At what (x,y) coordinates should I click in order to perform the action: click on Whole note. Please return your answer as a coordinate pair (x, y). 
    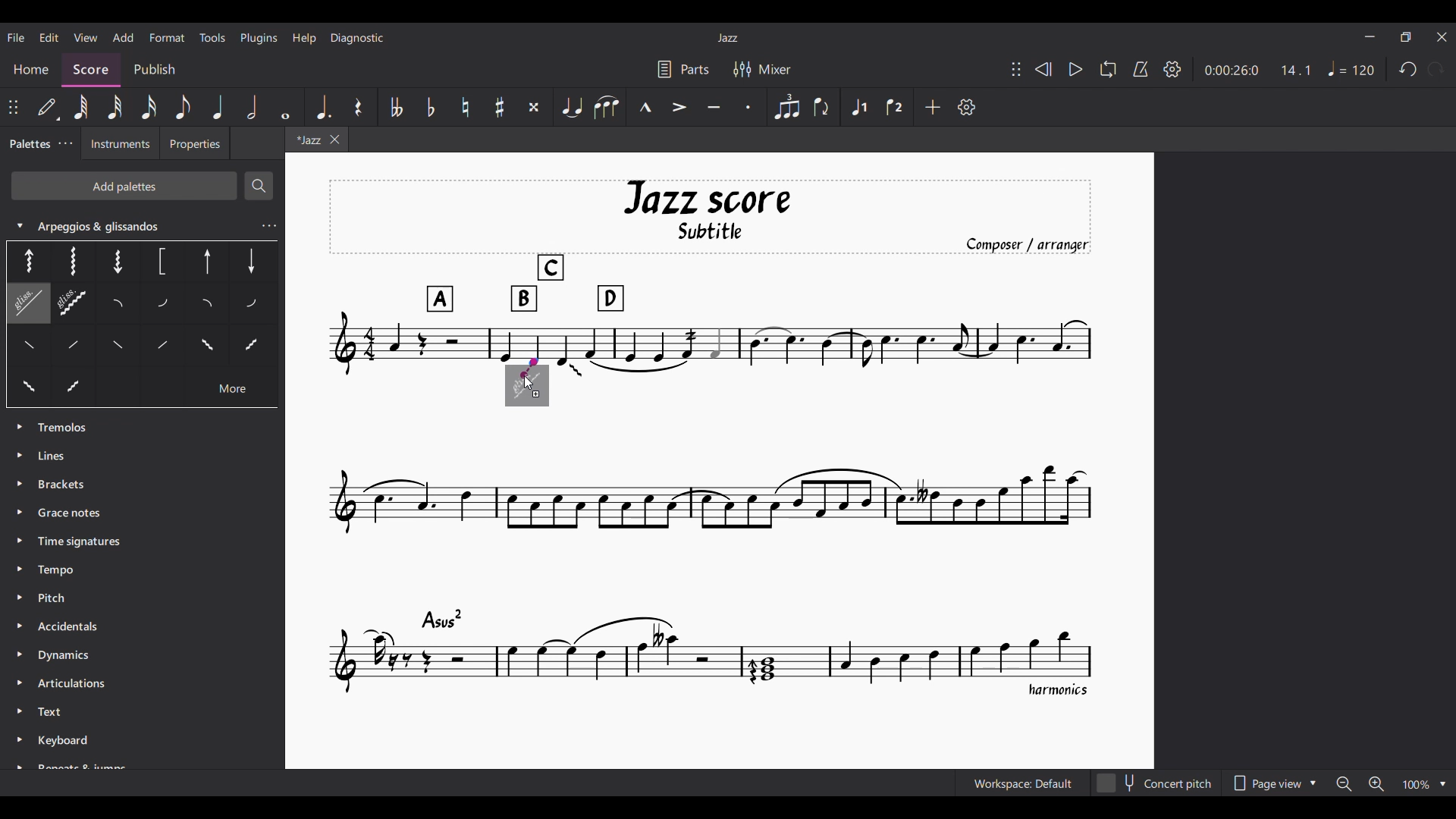
    Looking at the image, I should click on (286, 107).